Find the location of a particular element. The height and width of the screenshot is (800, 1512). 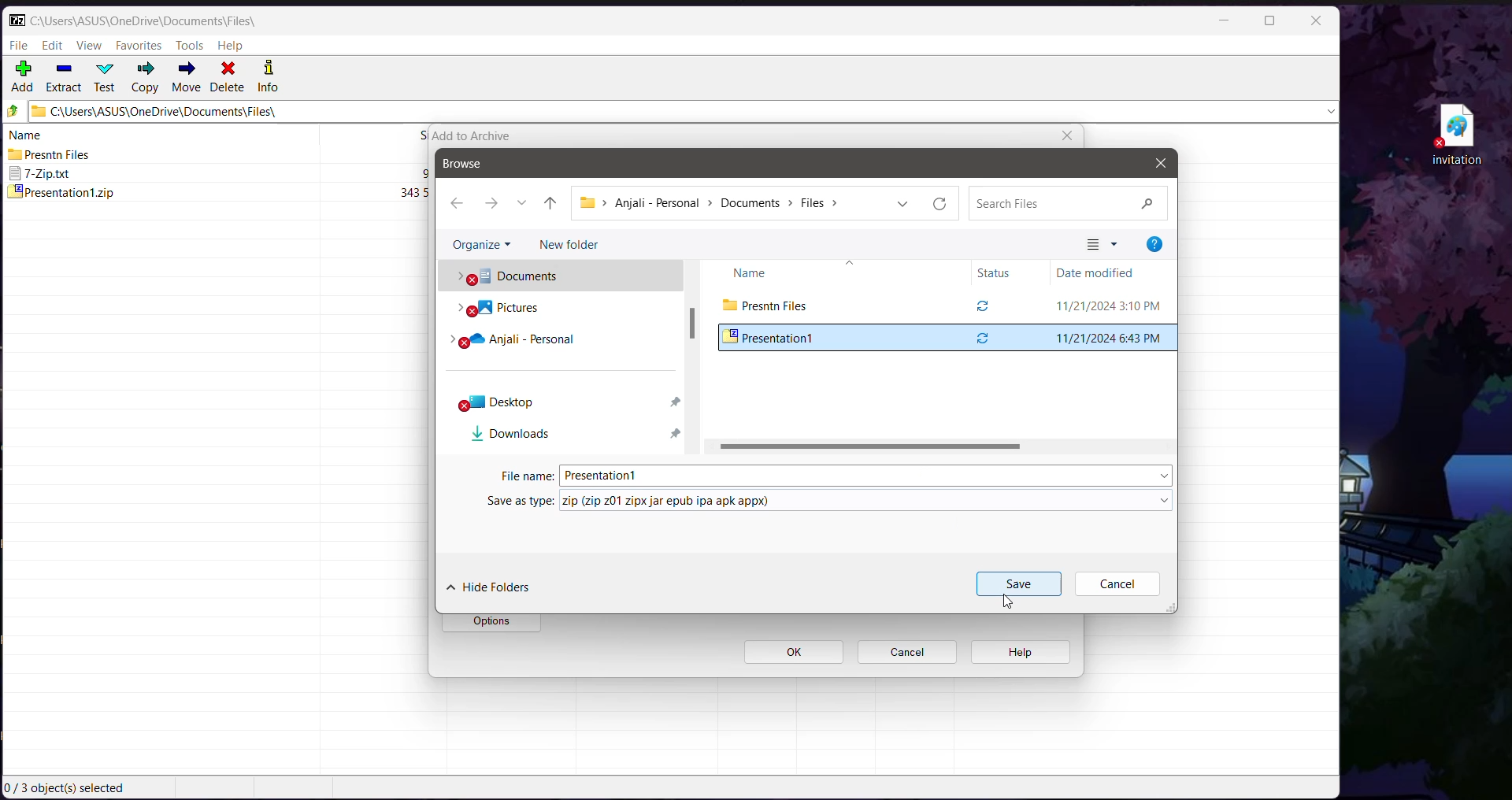

Current Folder View is located at coordinates (938, 305).